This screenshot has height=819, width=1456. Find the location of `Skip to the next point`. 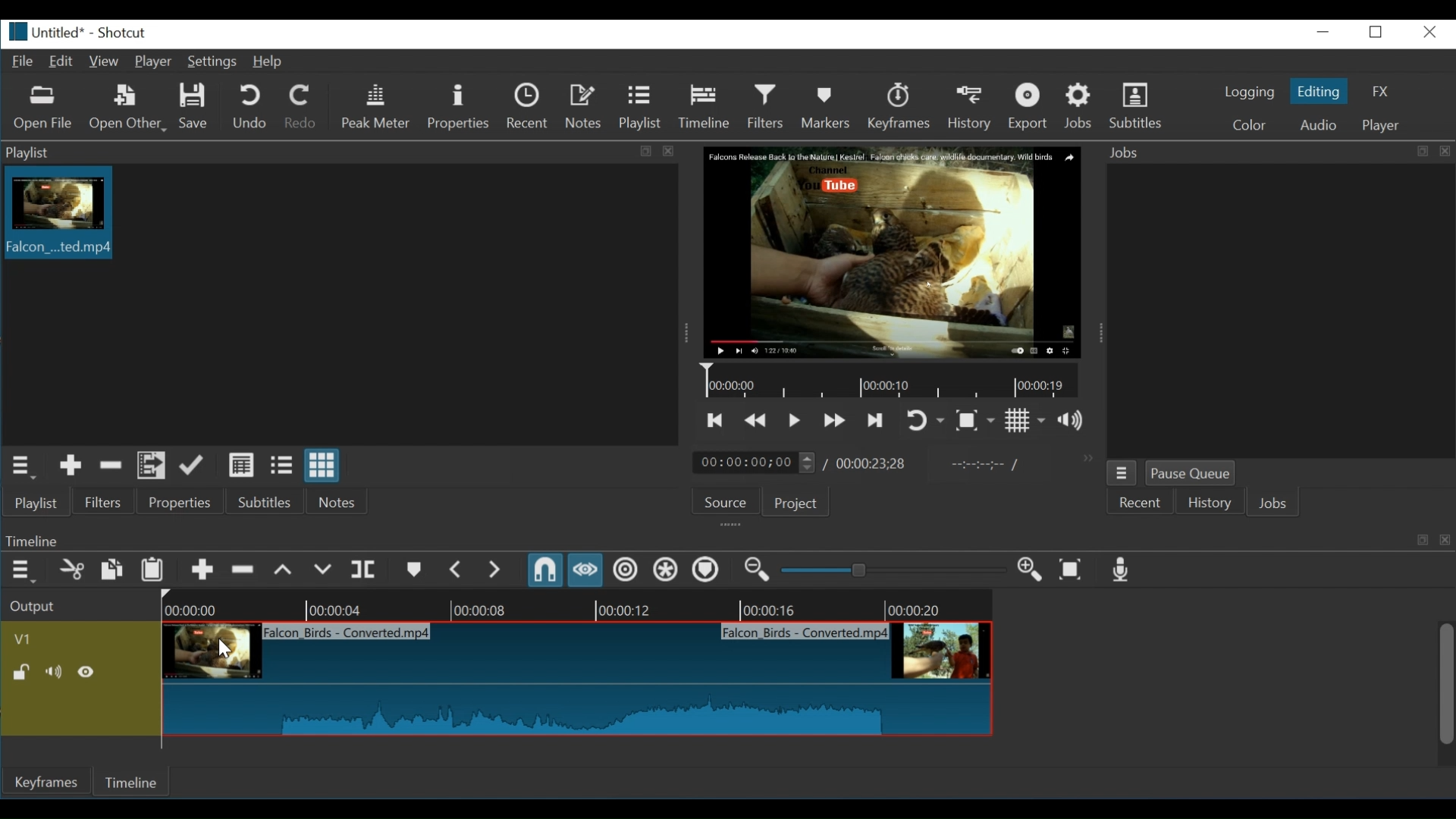

Skip to the next point is located at coordinates (873, 420).